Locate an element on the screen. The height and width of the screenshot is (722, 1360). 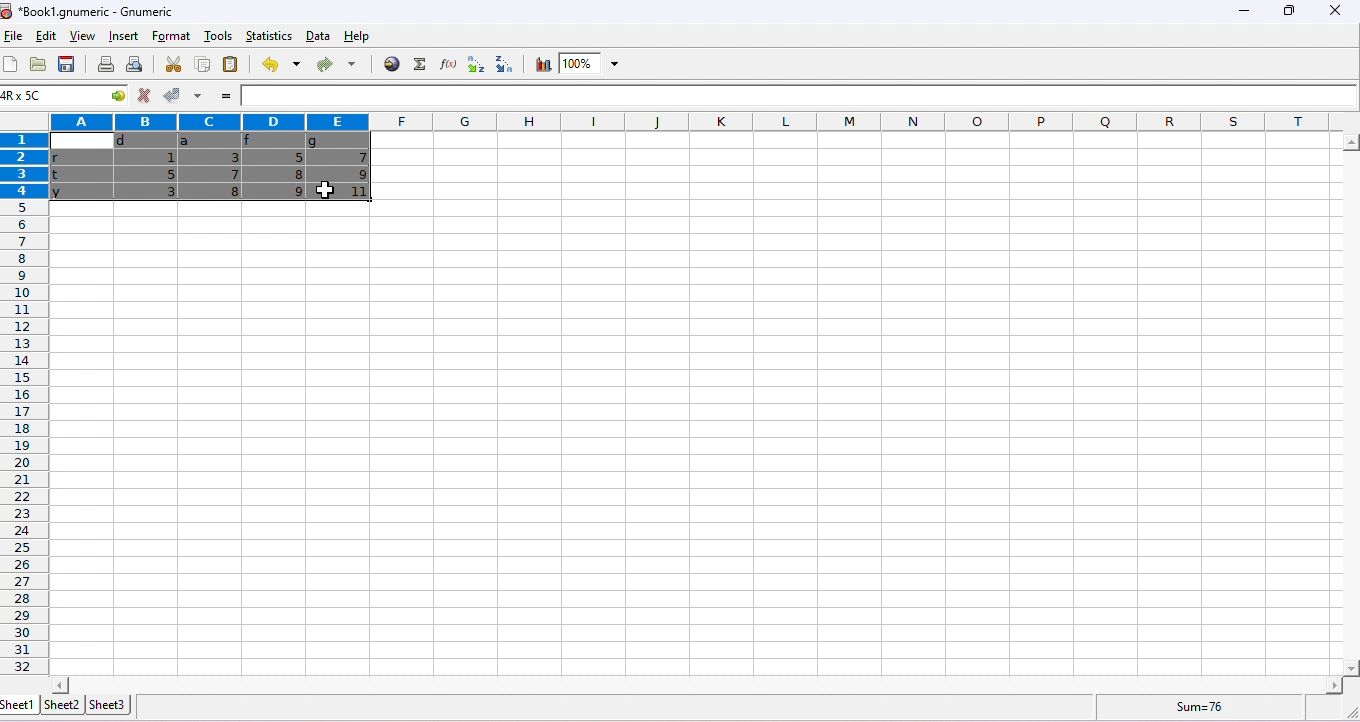
edit is located at coordinates (43, 37).